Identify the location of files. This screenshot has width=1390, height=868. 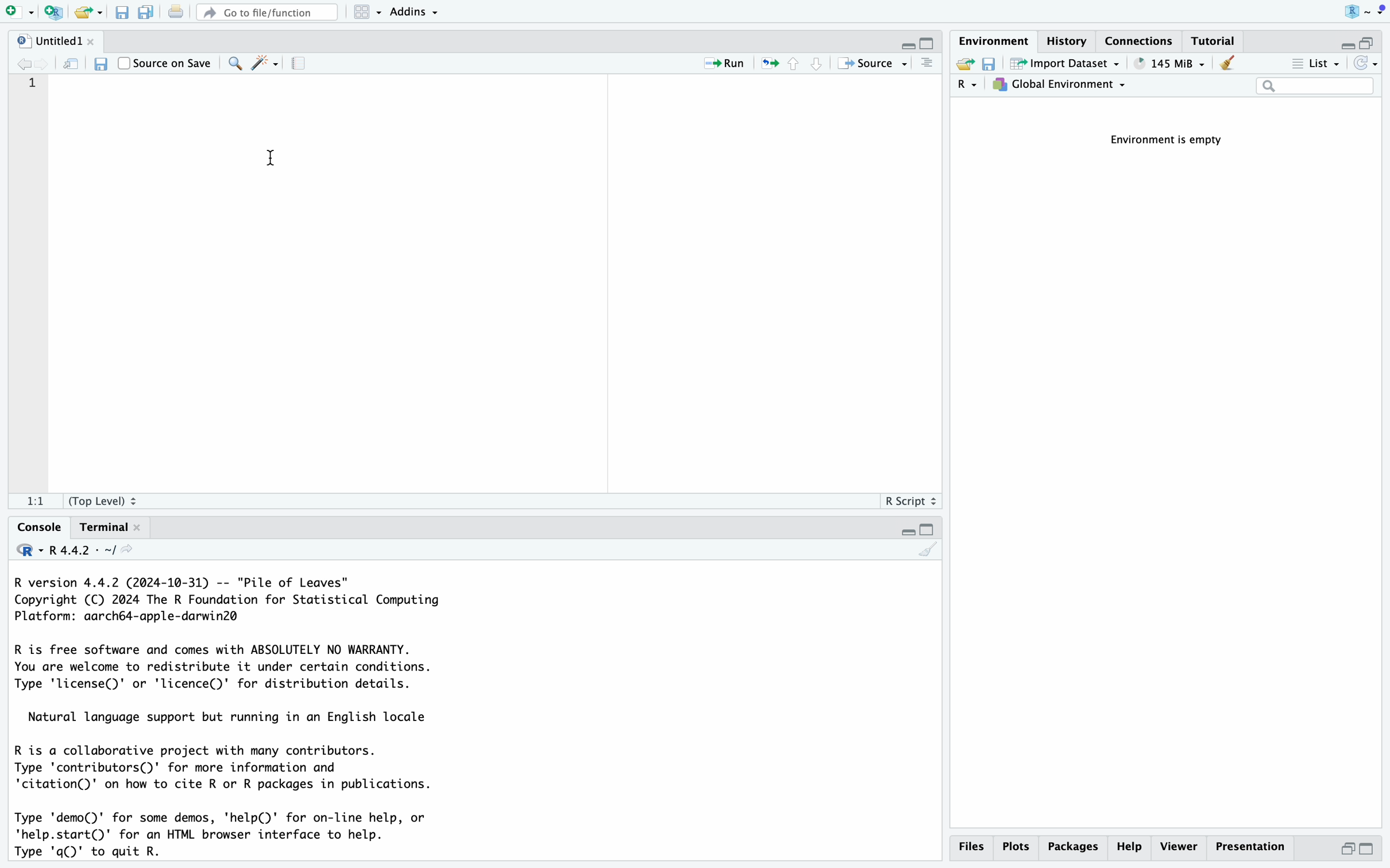
(974, 847).